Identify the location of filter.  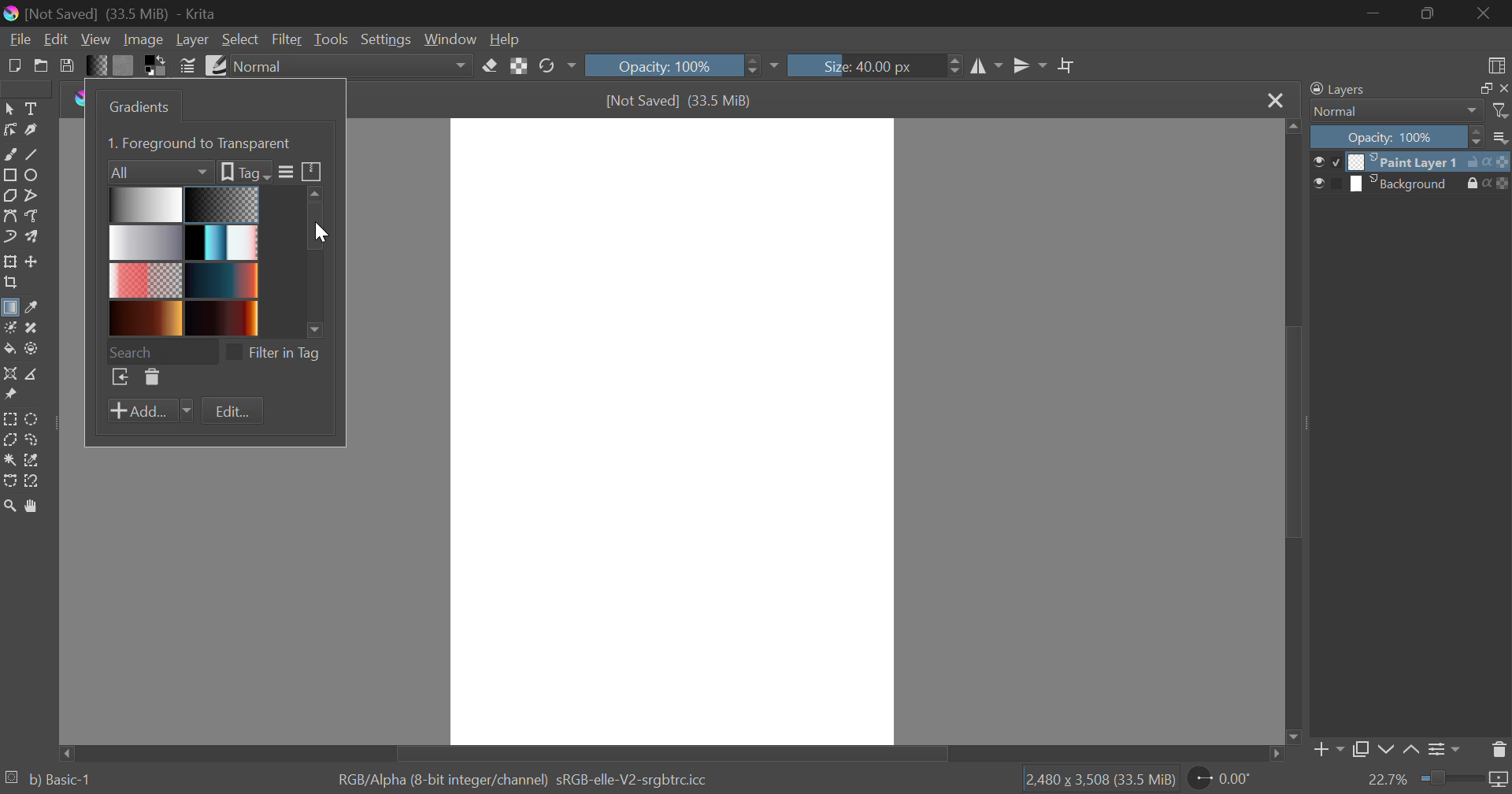
(1502, 111).